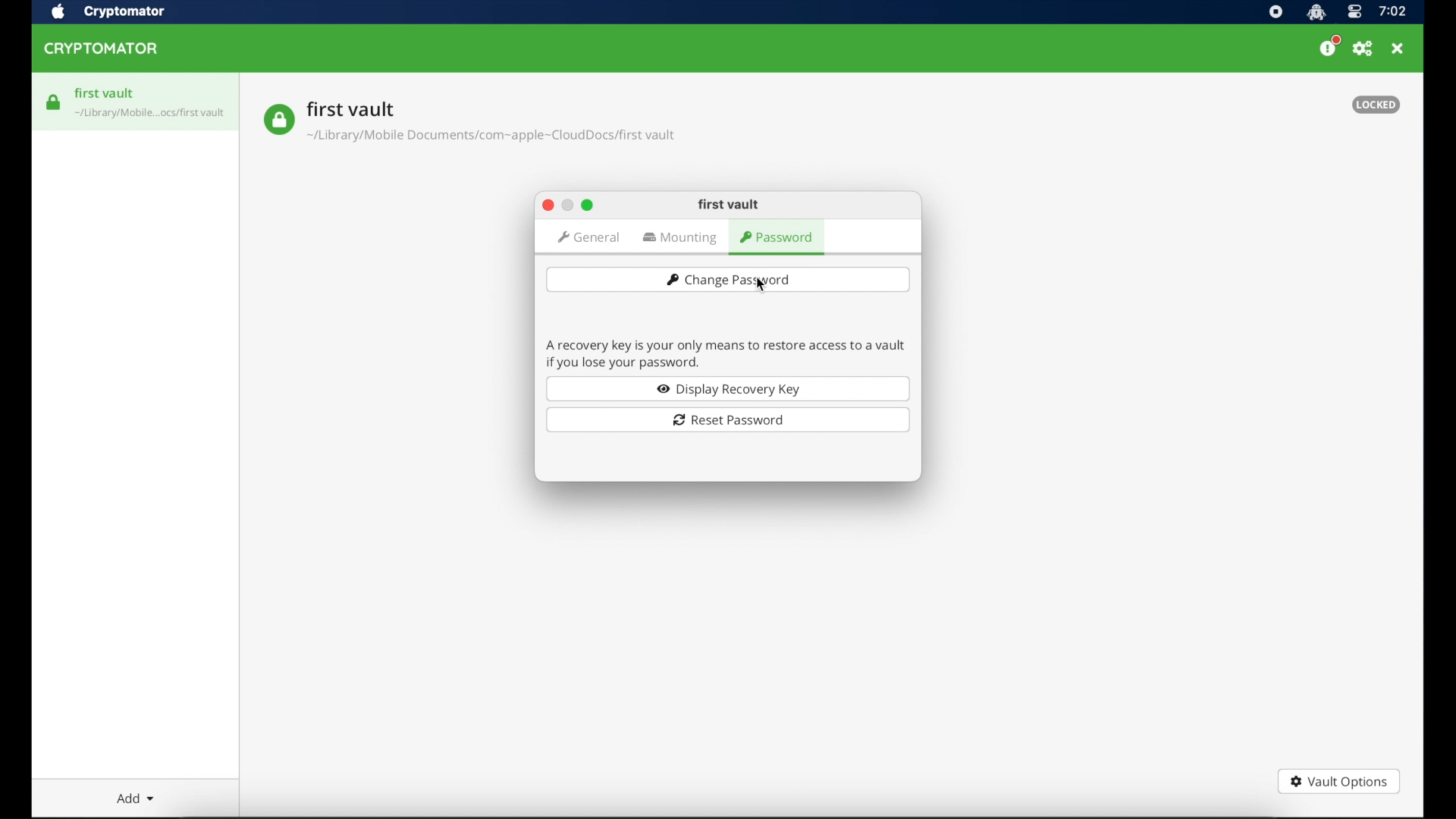 This screenshot has width=1456, height=819. I want to click on screen recorder icon, so click(1276, 13).